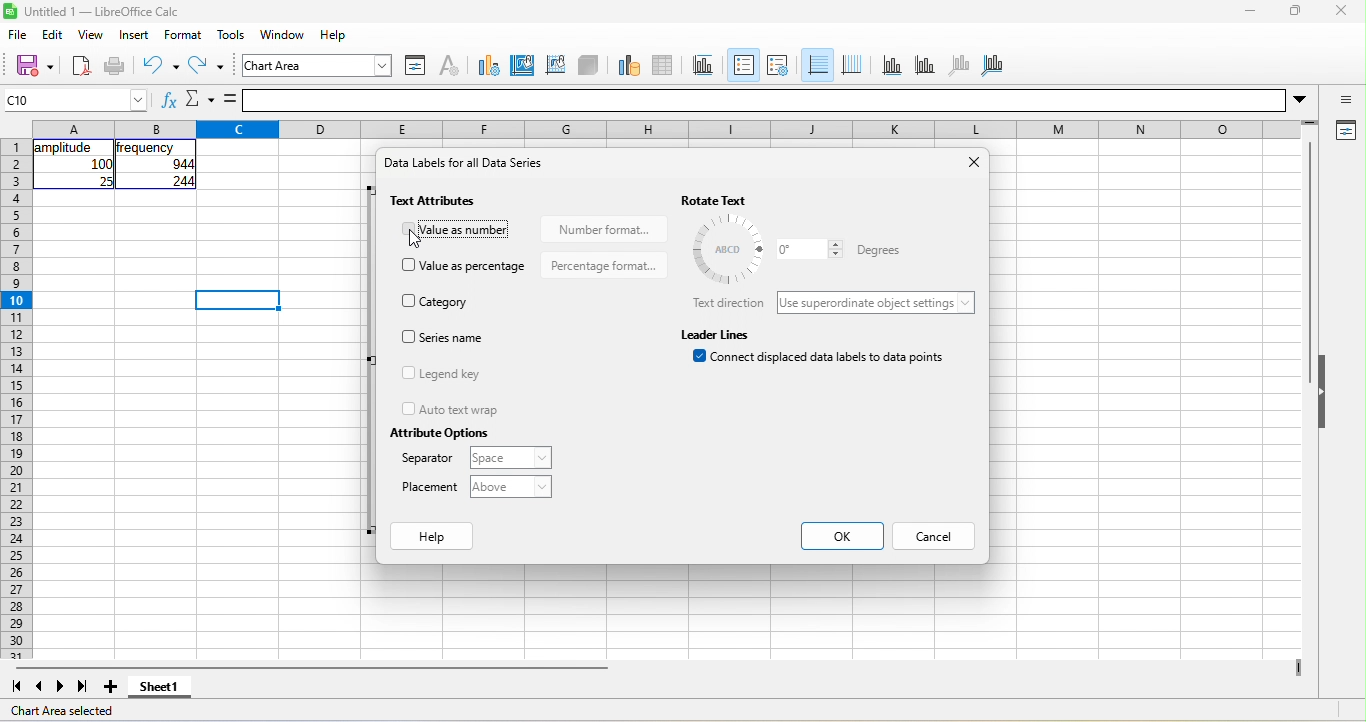  What do you see at coordinates (555, 63) in the screenshot?
I see `chart wall` at bounding box center [555, 63].